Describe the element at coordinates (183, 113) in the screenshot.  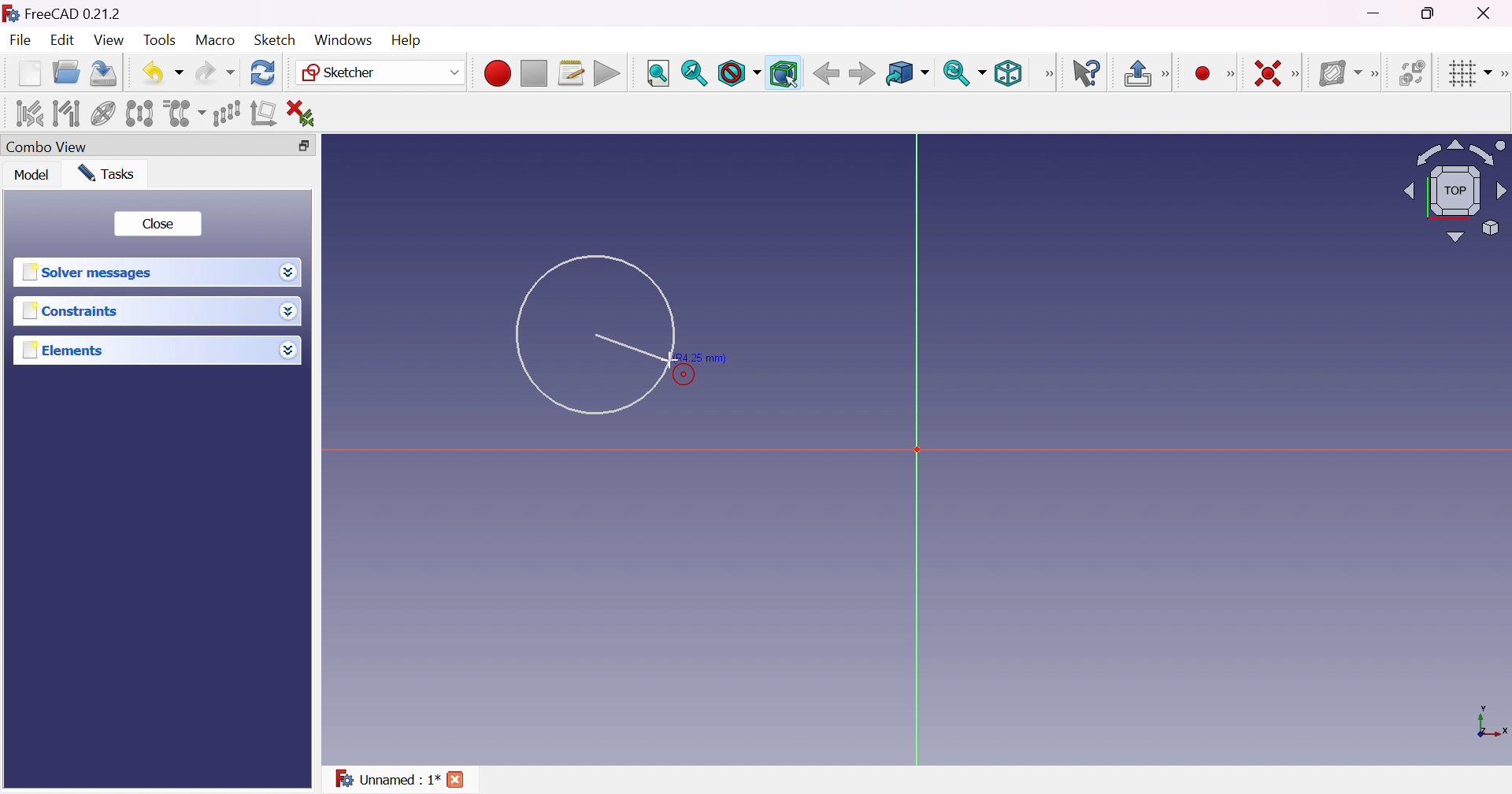
I see `Clone` at that location.